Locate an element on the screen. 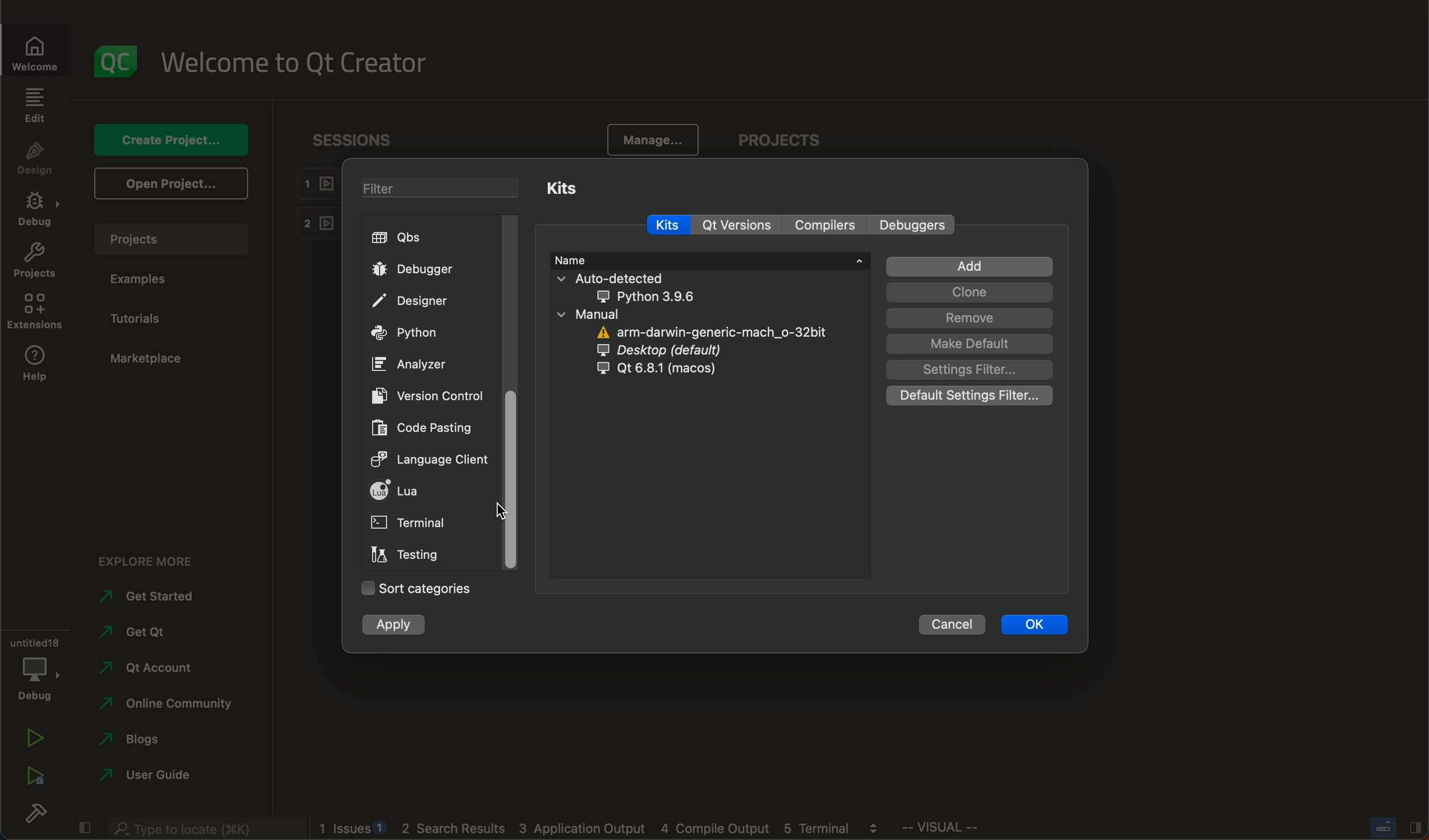  cancel is located at coordinates (950, 623).